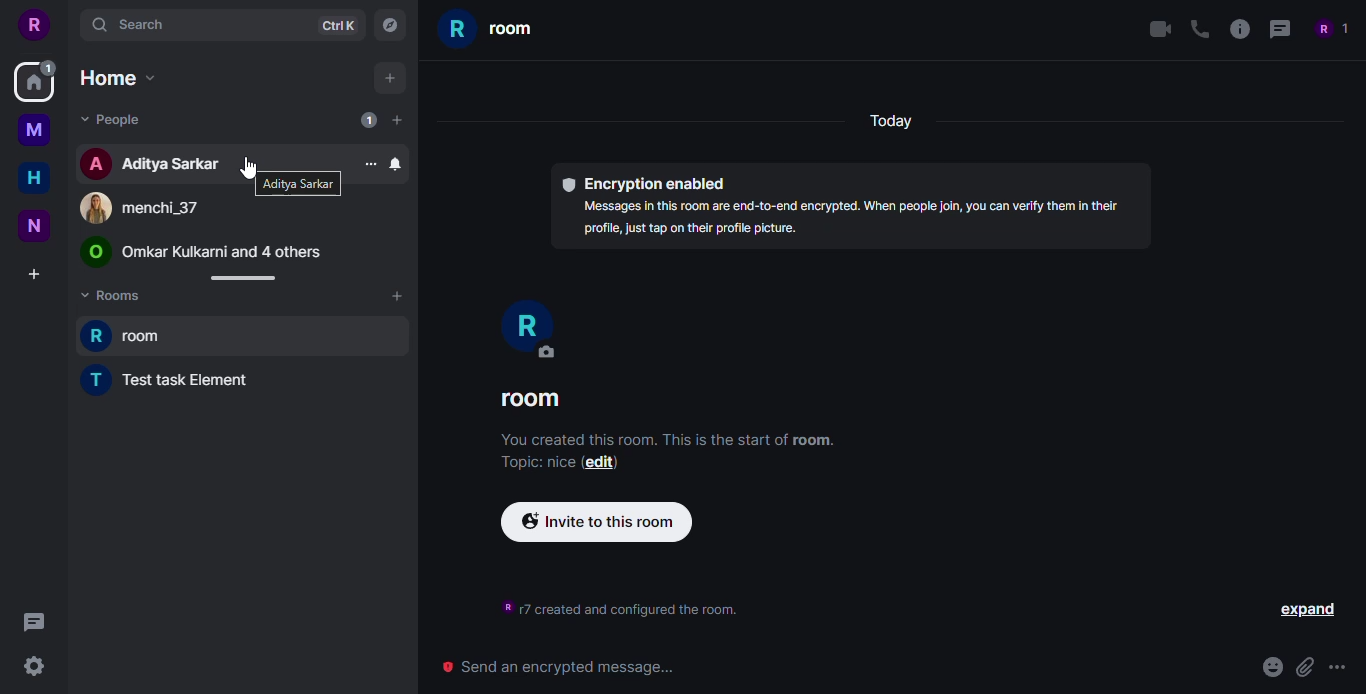  Describe the element at coordinates (245, 166) in the screenshot. I see `cursor` at that location.